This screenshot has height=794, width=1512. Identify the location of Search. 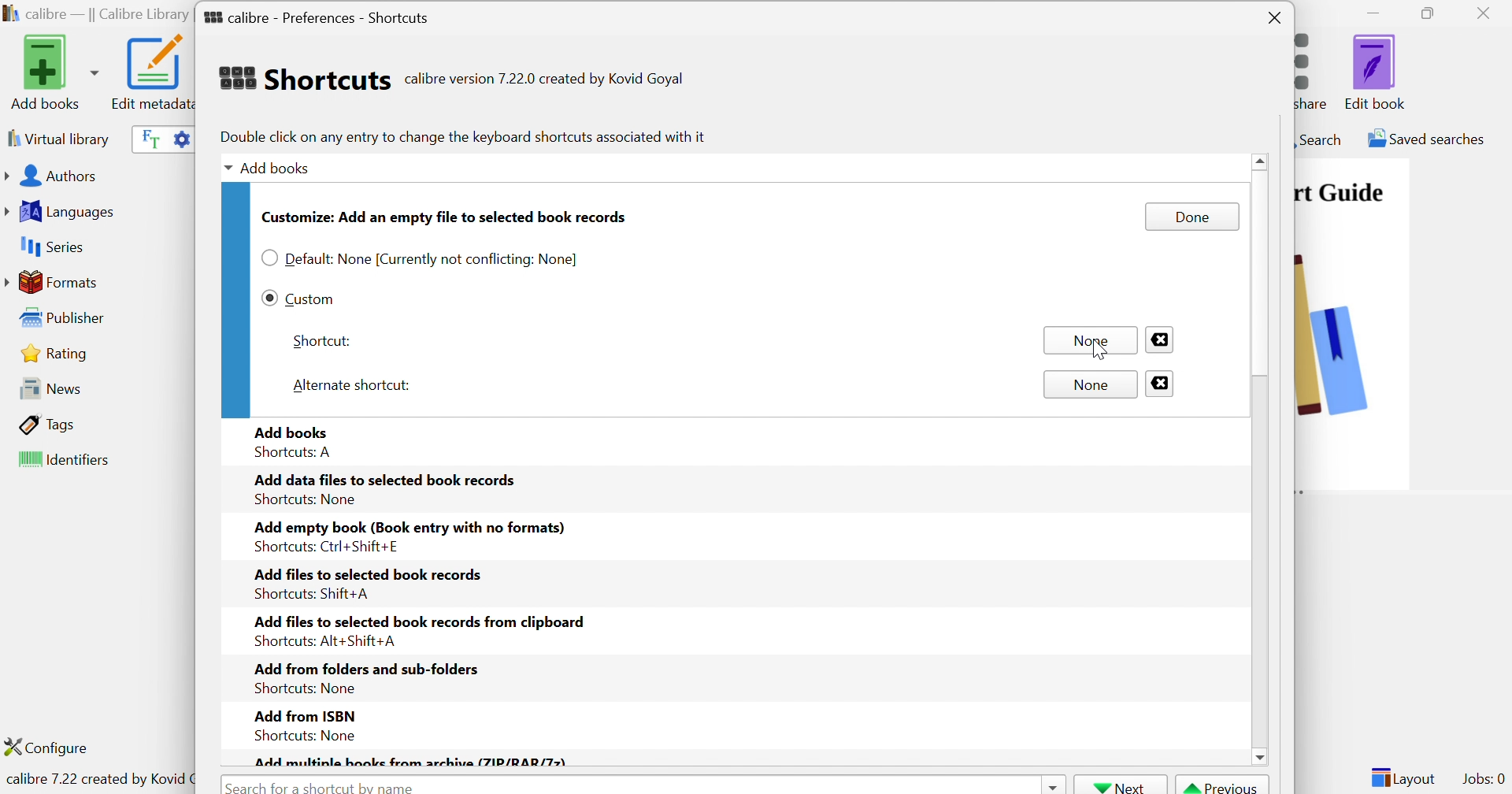
(1319, 139).